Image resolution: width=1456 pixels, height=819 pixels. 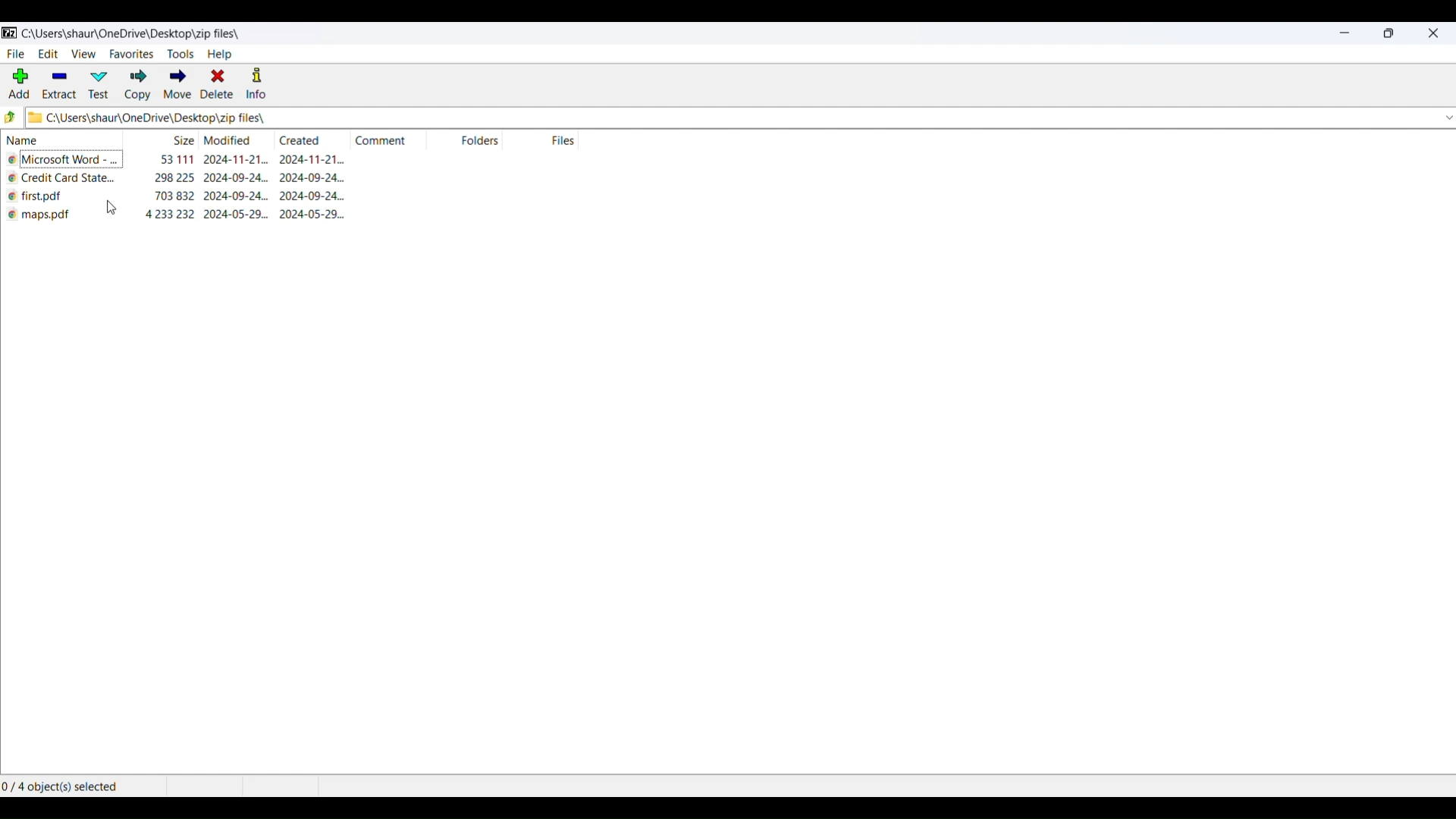 What do you see at coordinates (221, 55) in the screenshot?
I see `help` at bounding box center [221, 55].